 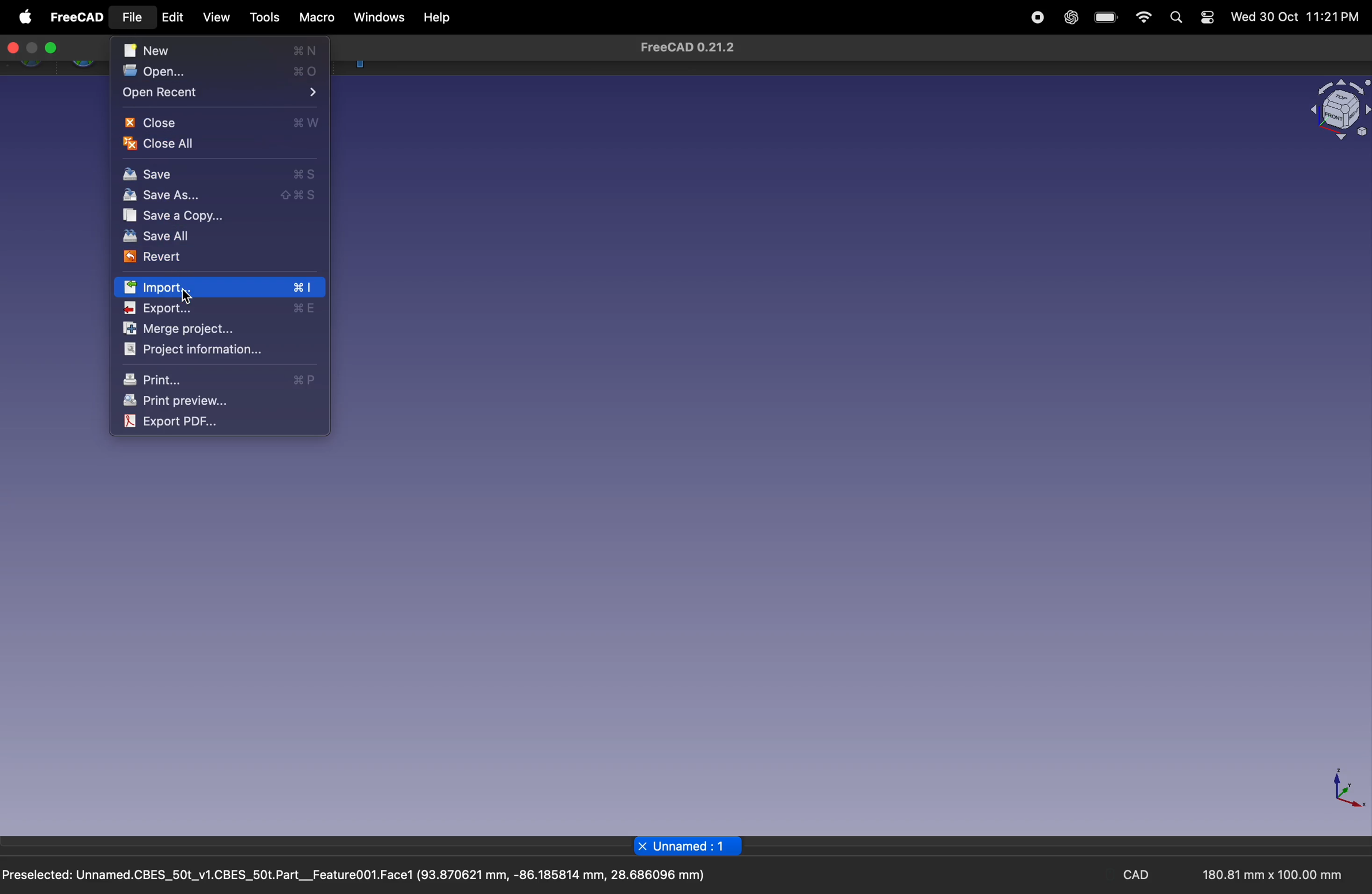 What do you see at coordinates (51, 48) in the screenshot?
I see `Enter full screen` at bounding box center [51, 48].